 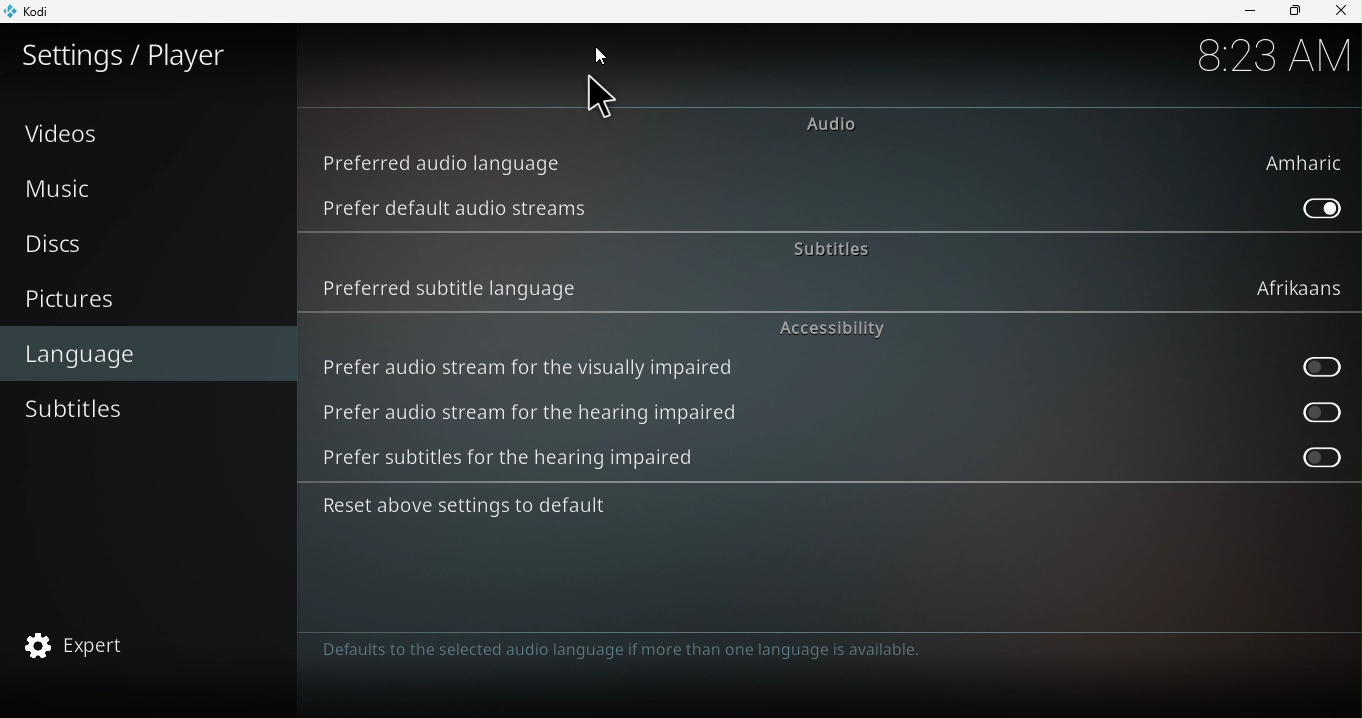 I want to click on Reset above settings to default, so click(x=489, y=510).